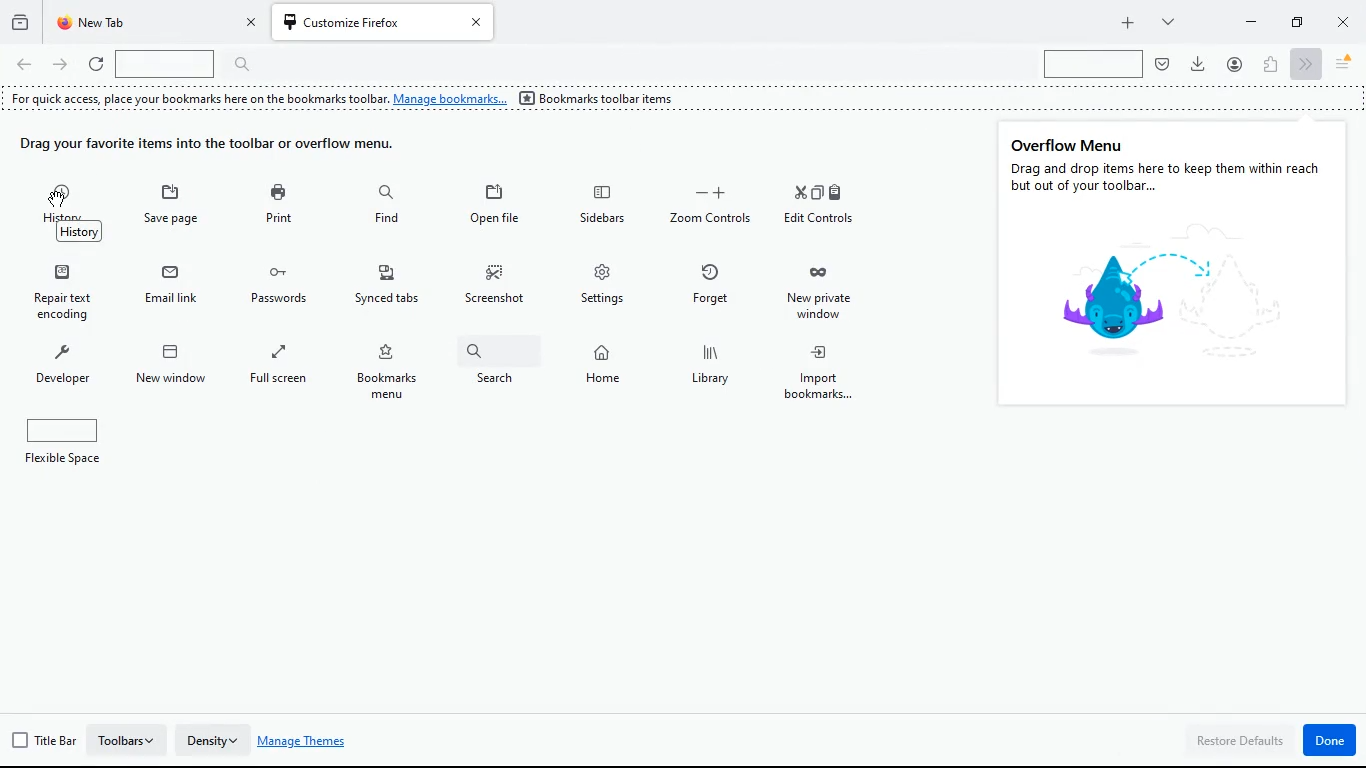 Image resolution: width=1366 pixels, height=768 pixels. Describe the element at coordinates (1344, 64) in the screenshot. I see `menu` at that location.